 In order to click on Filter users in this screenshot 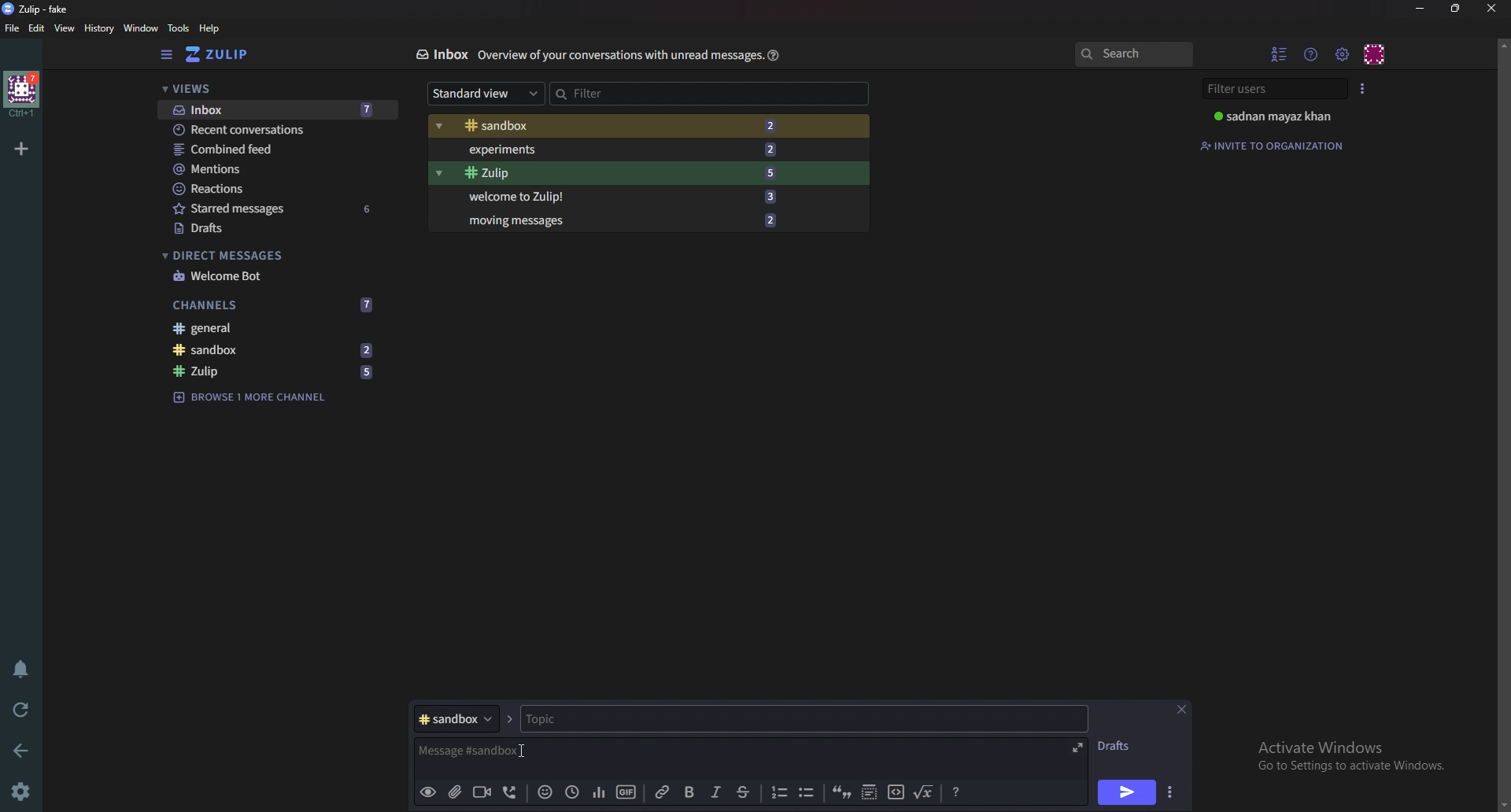, I will do `click(1273, 89)`.